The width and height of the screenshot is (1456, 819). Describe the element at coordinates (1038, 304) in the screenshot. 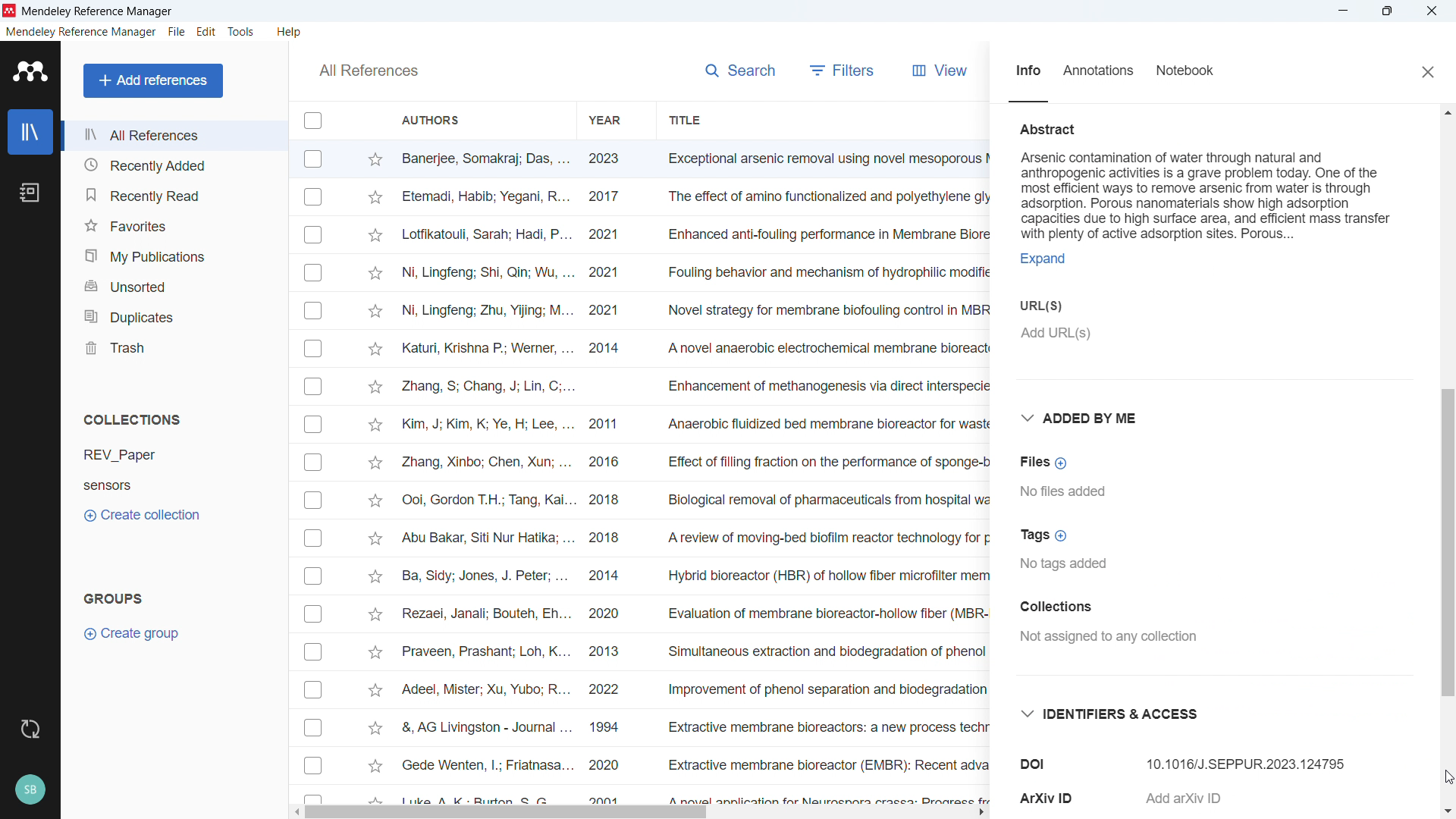

I see `url(s)` at that location.